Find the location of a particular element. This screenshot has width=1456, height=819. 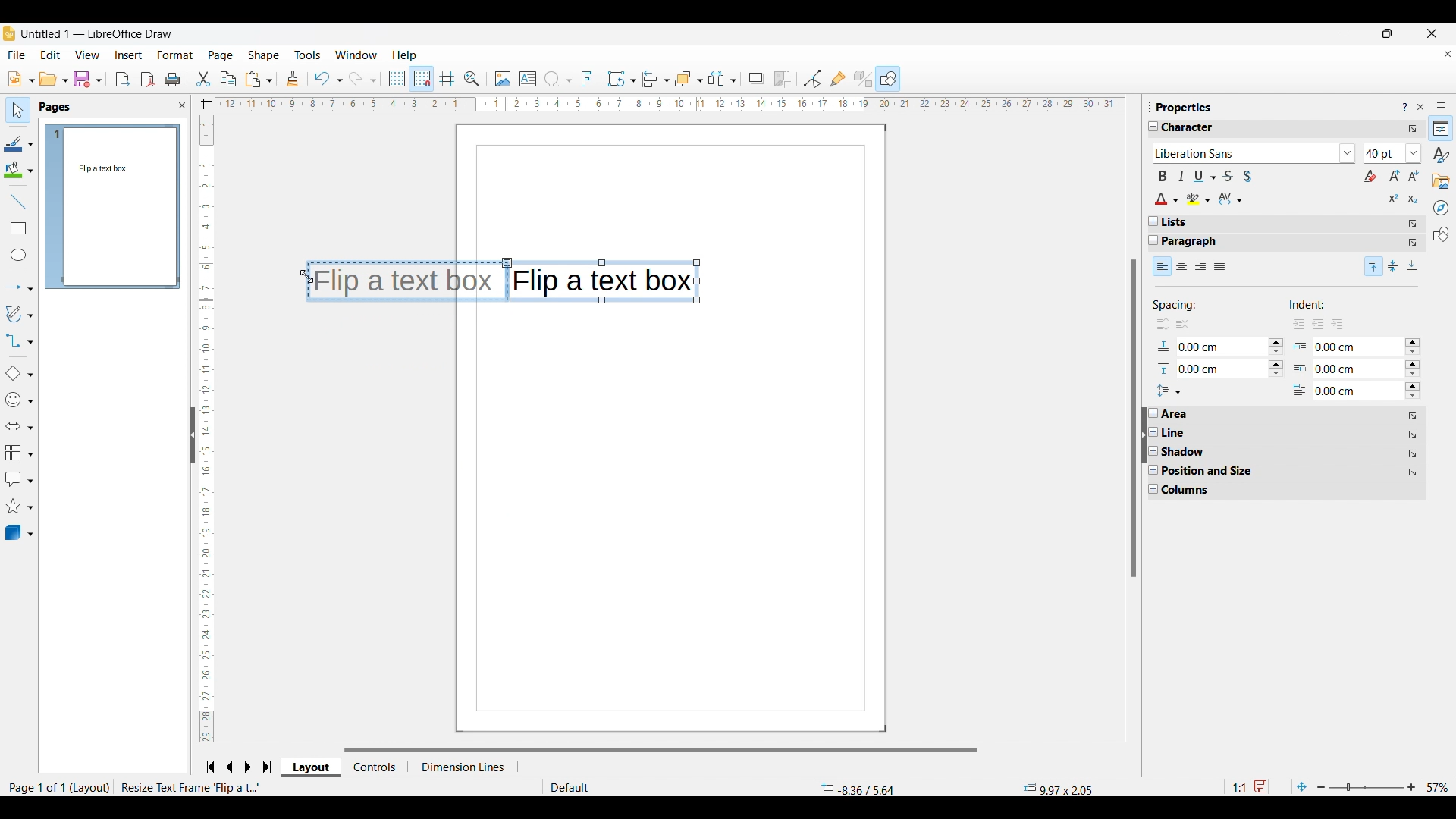

contacts is located at coordinates (373, 767).